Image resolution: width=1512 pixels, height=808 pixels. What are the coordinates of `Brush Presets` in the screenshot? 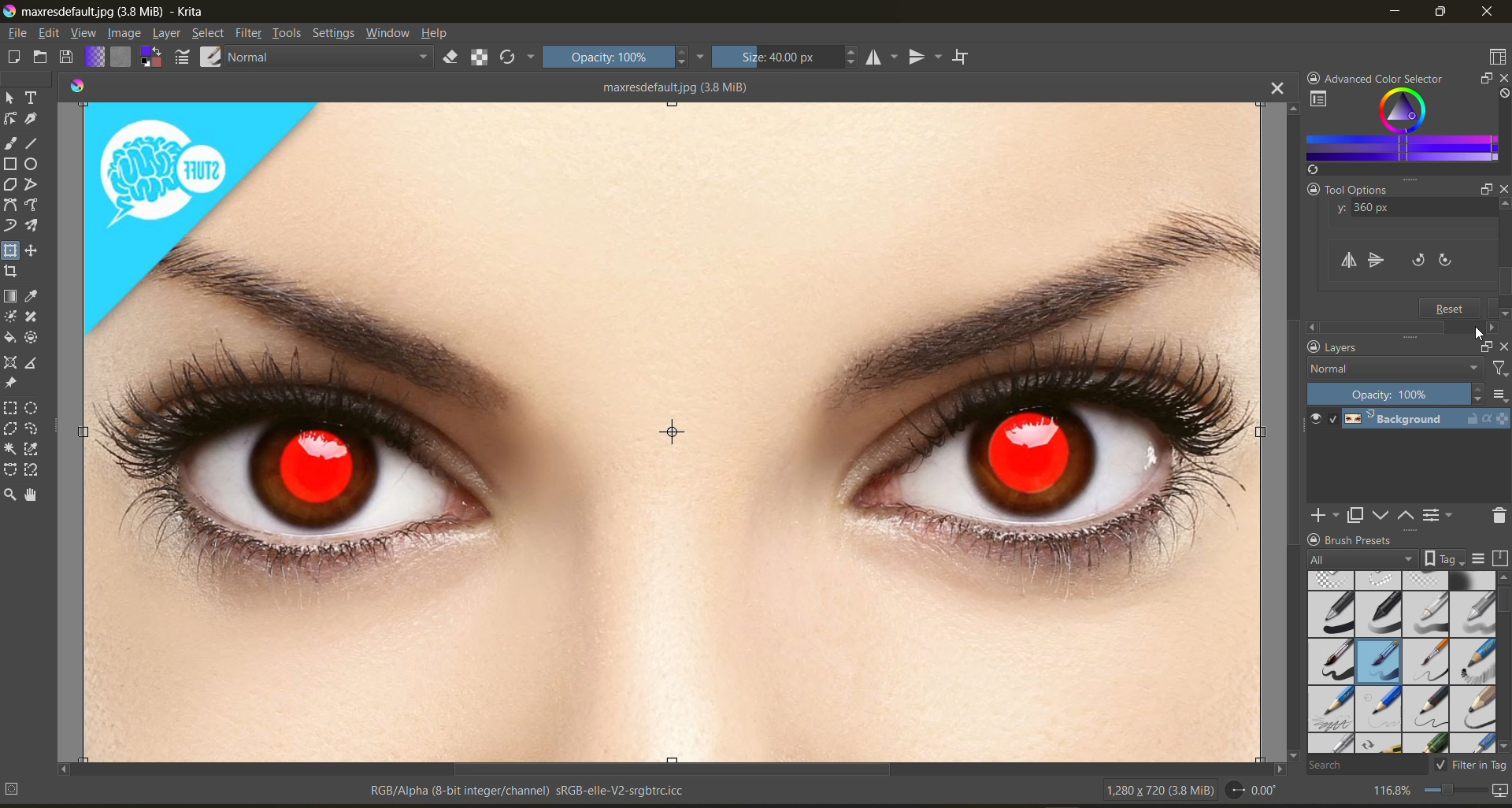 It's located at (1392, 539).